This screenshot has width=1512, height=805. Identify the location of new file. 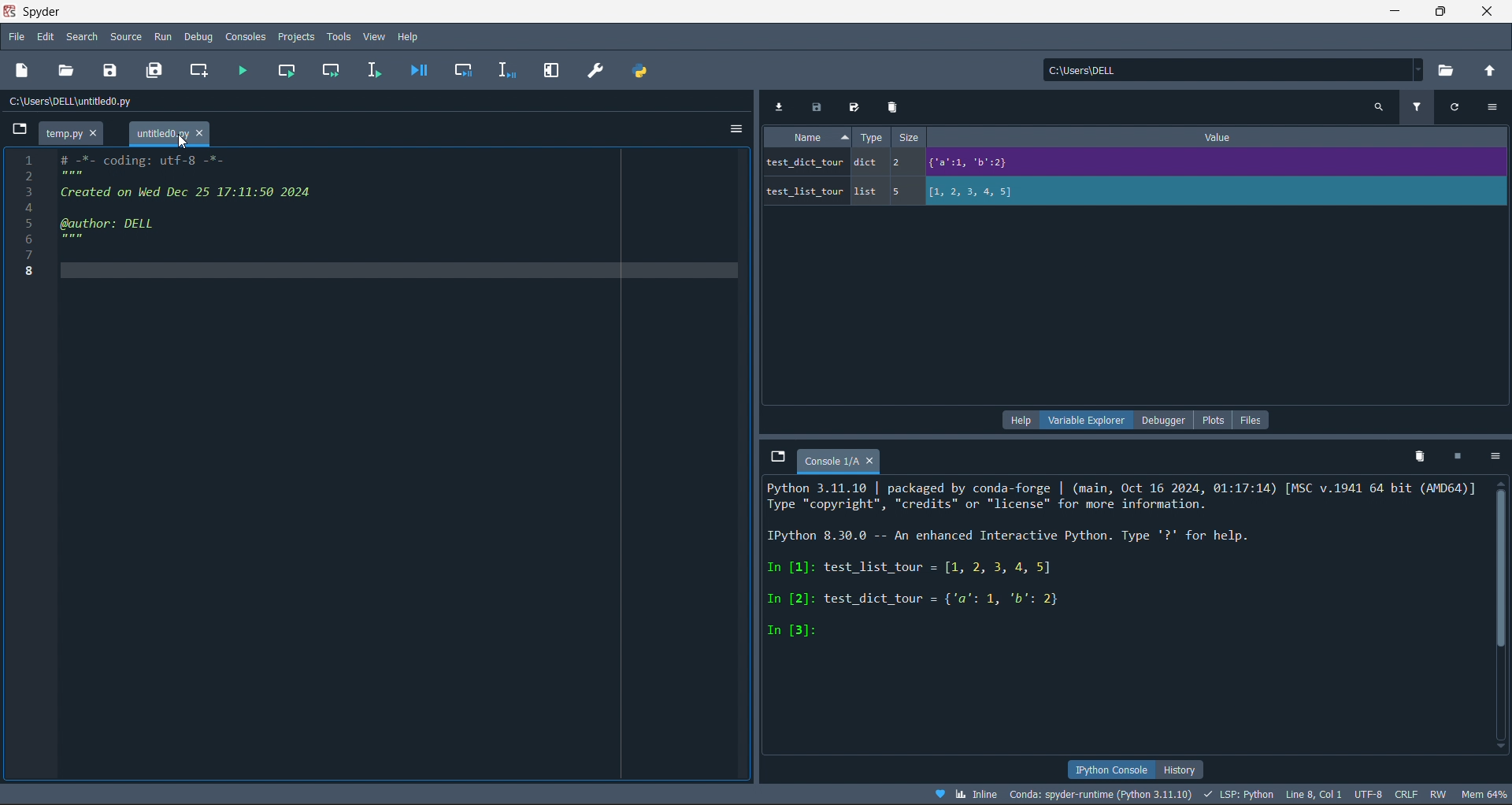
(24, 72).